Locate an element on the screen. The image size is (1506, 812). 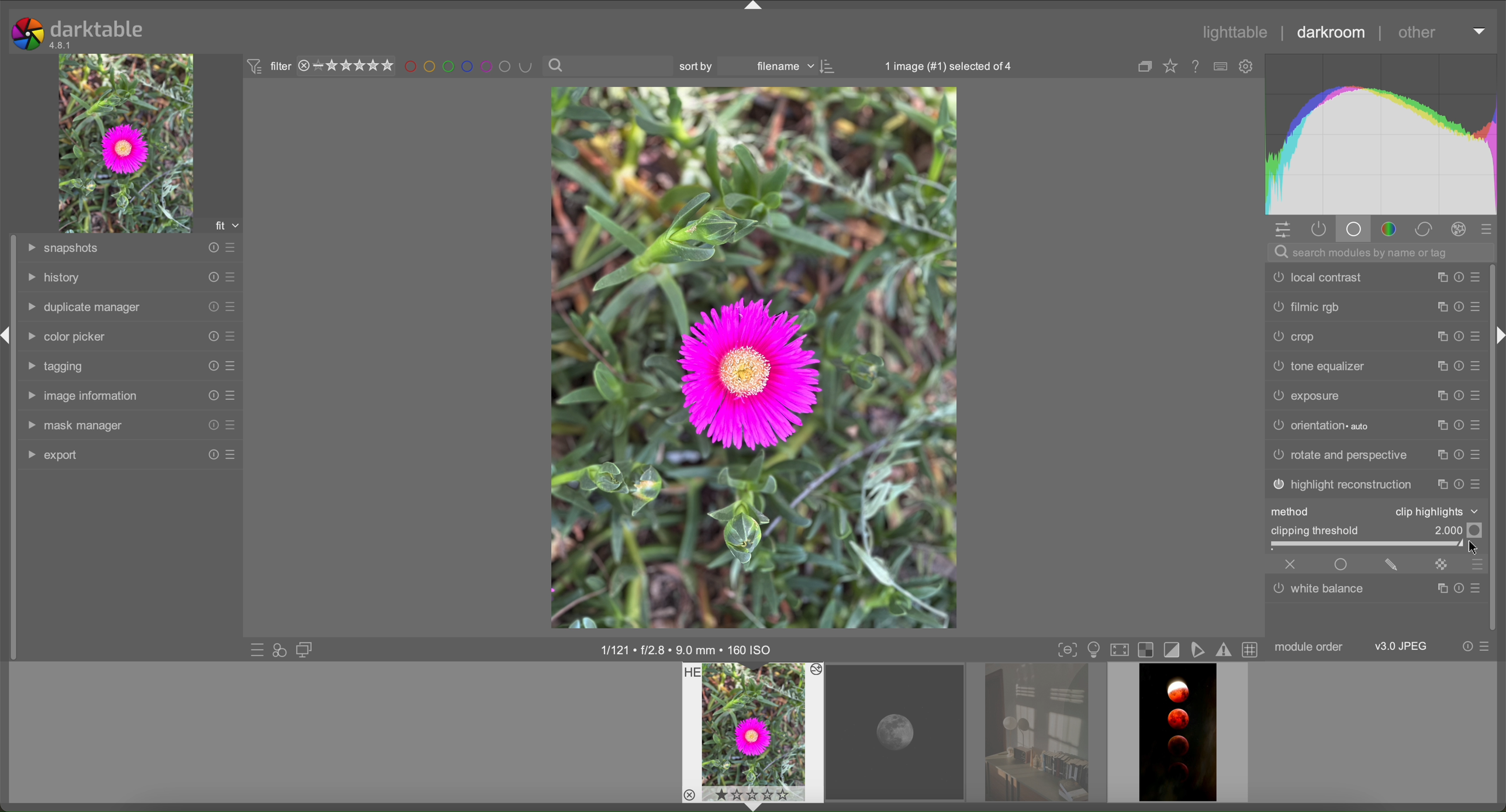
lighttable is located at coordinates (1236, 32).